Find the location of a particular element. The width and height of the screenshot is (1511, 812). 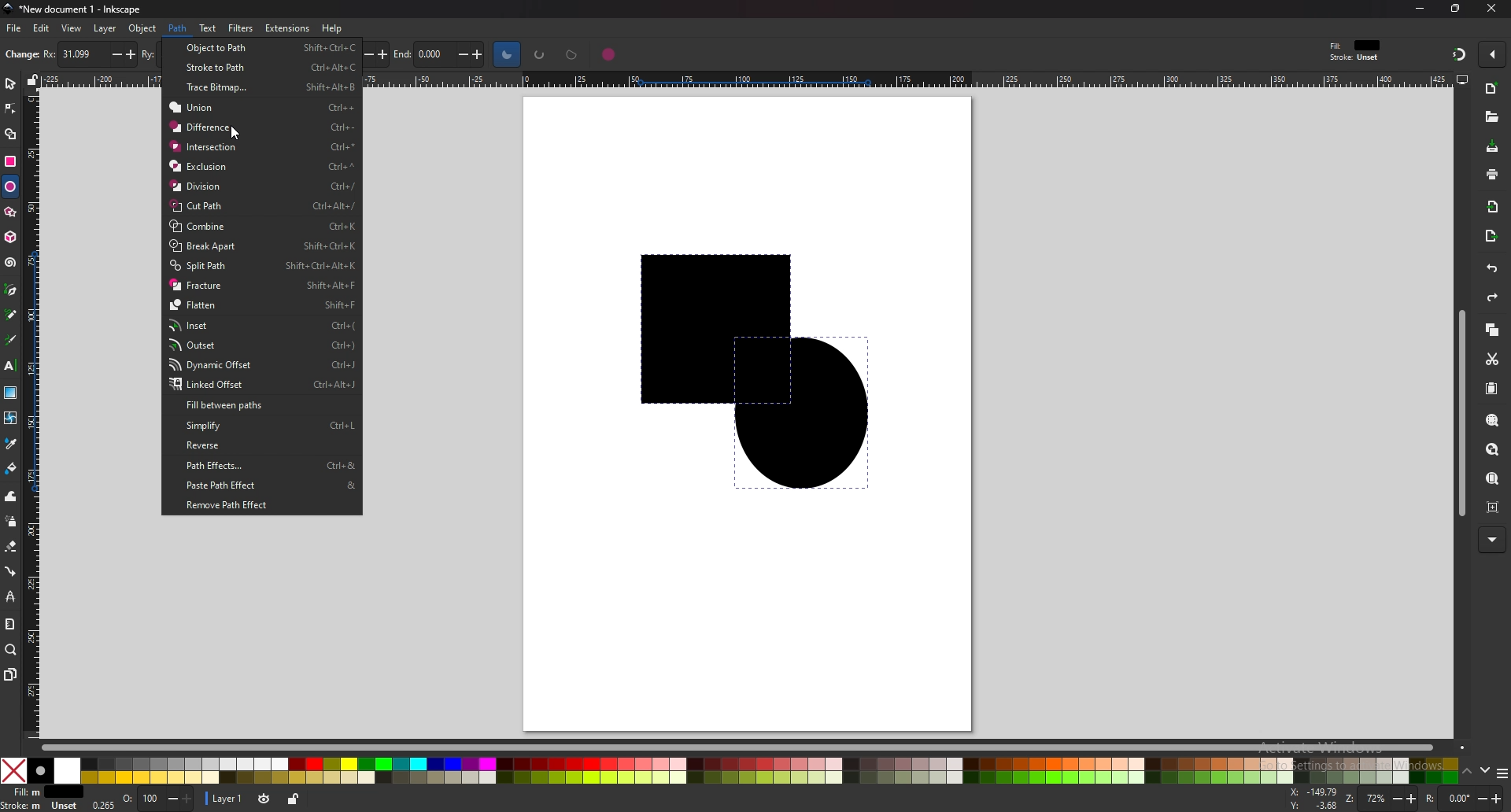

zoom drawing is located at coordinates (1494, 448).